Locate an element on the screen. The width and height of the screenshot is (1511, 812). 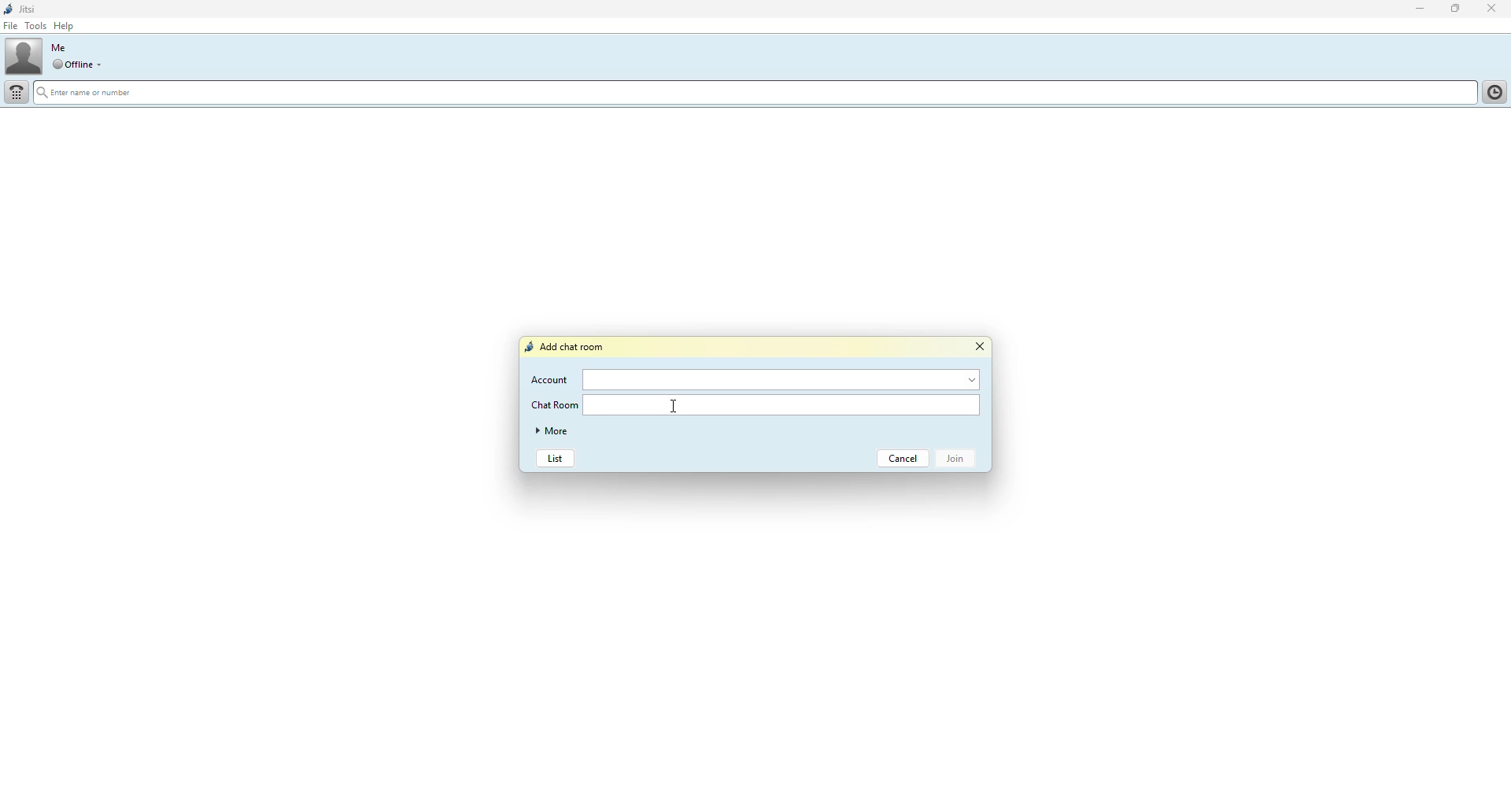
list is located at coordinates (555, 460).